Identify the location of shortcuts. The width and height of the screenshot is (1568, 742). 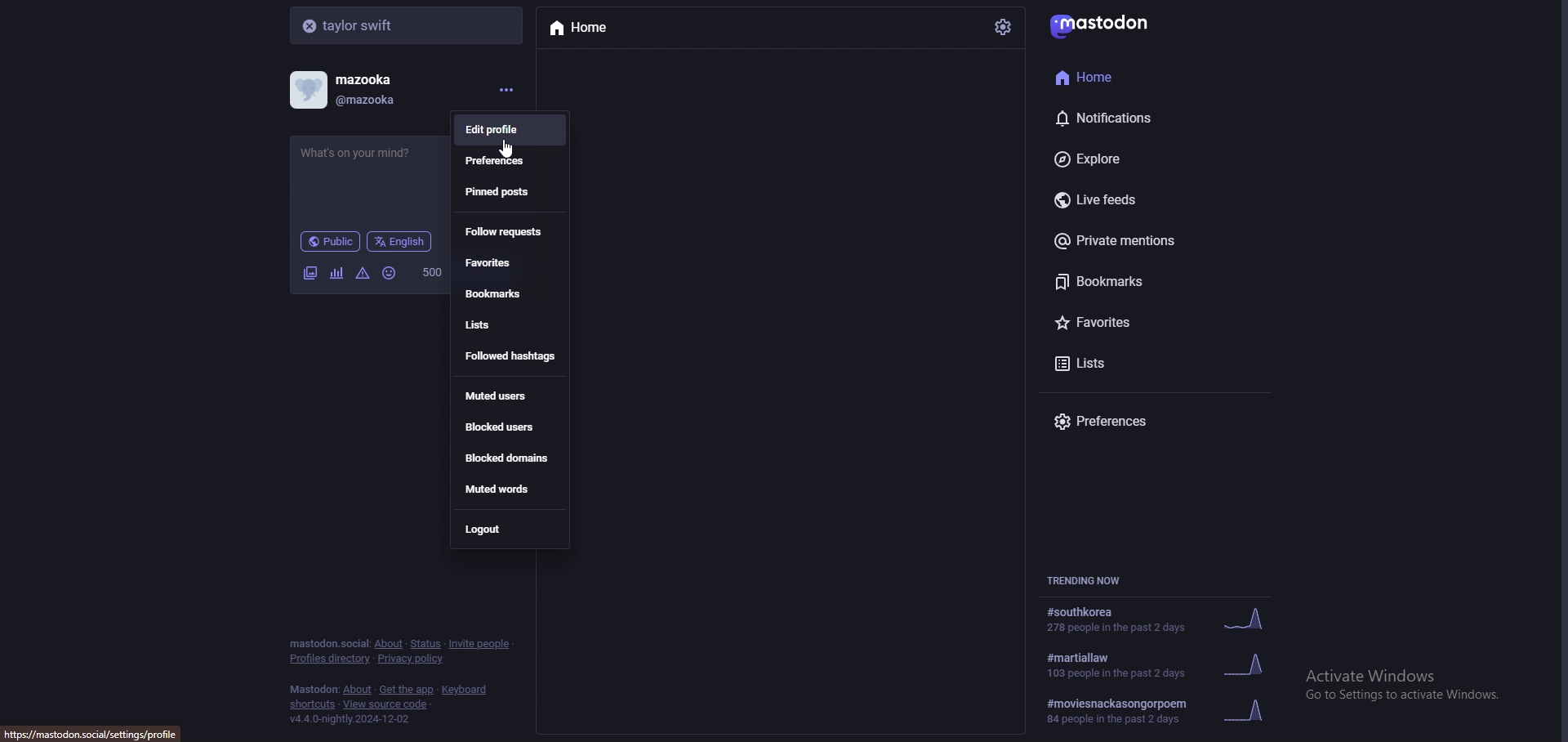
(313, 705).